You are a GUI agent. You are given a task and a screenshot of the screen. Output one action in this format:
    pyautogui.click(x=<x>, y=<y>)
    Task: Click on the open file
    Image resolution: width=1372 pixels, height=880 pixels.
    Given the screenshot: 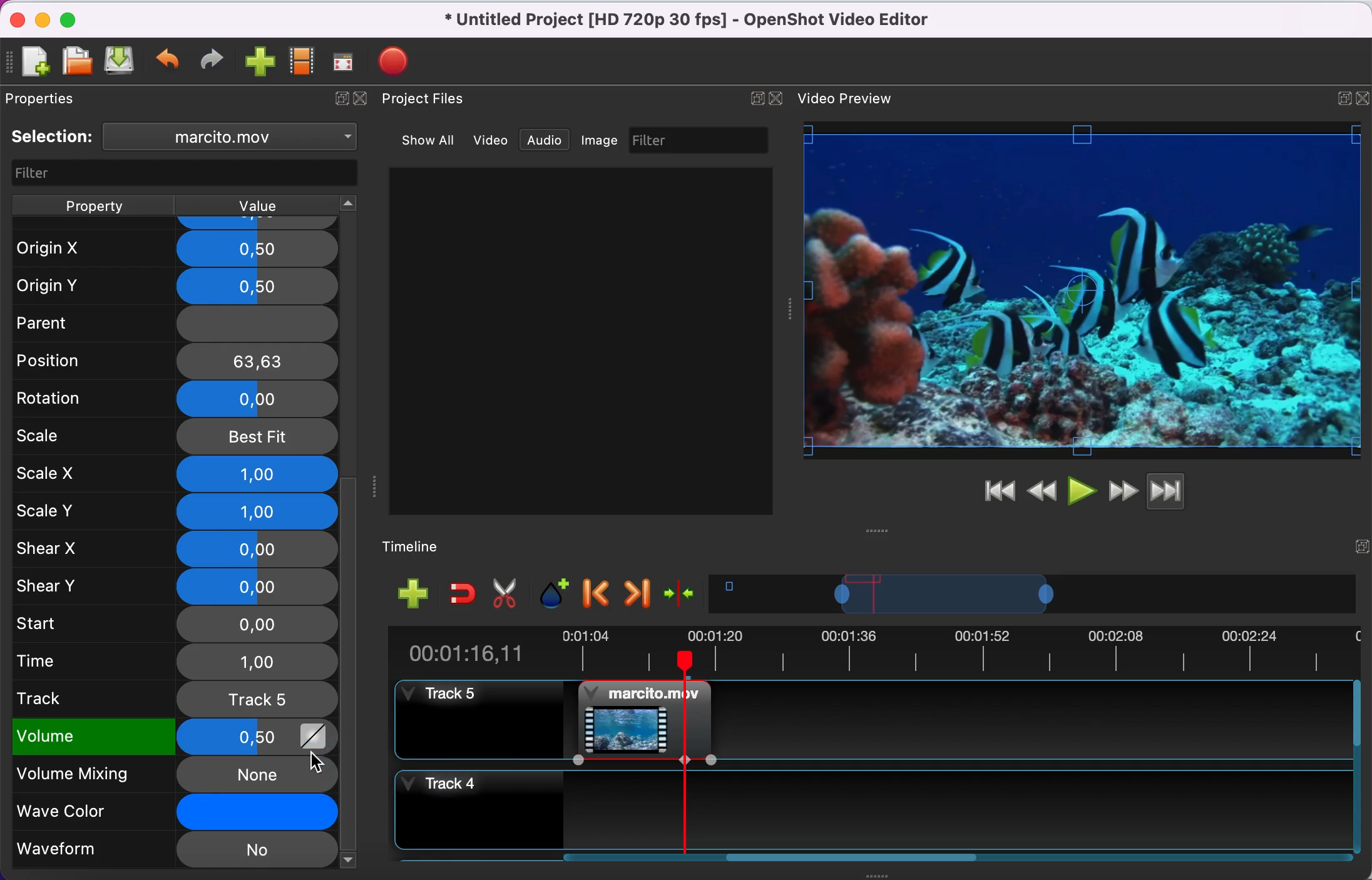 What is the action you would take?
    pyautogui.click(x=76, y=61)
    